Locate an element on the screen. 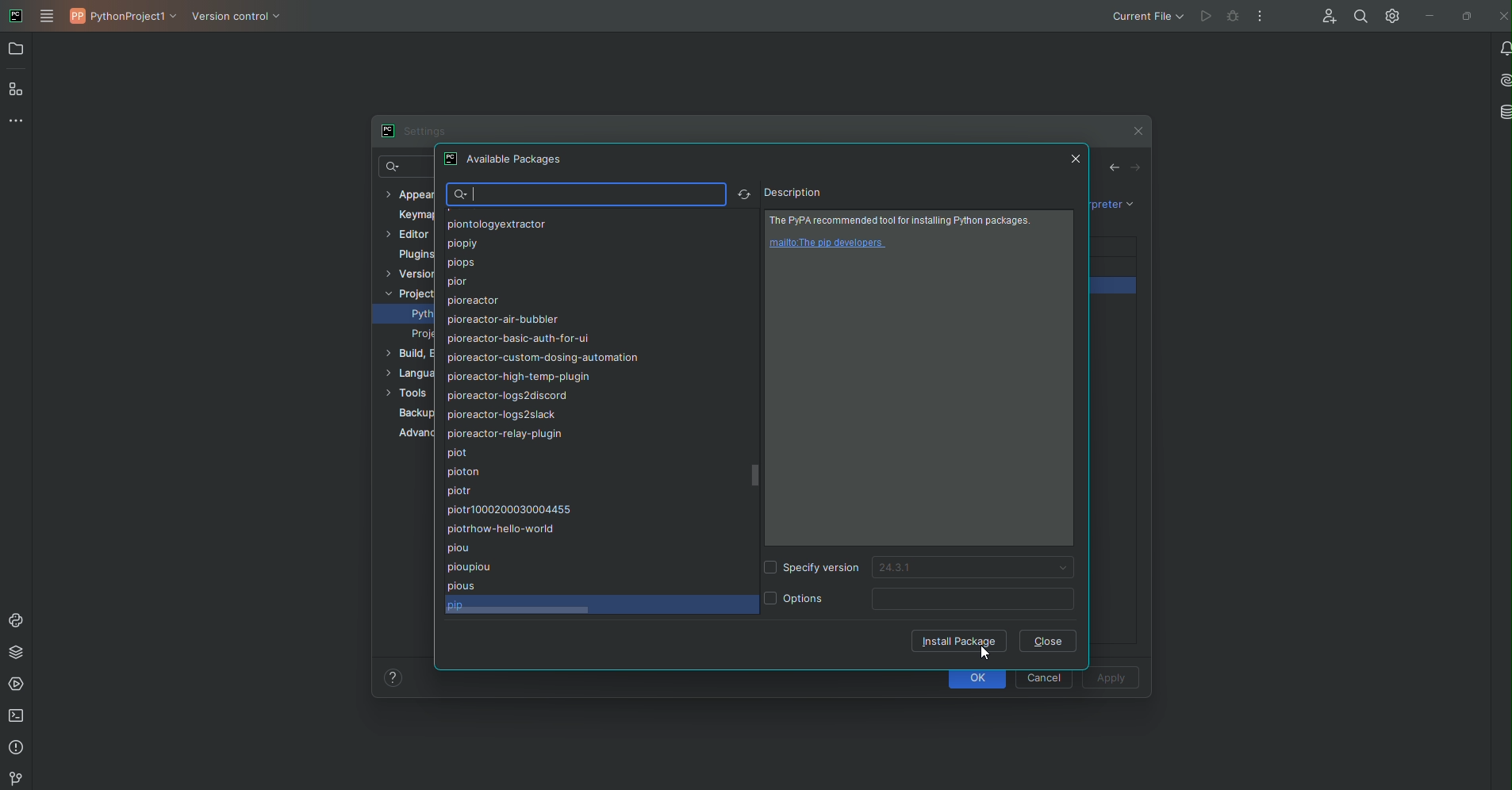 The image size is (1512, 790). Code with me is located at coordinates (1328, 15).